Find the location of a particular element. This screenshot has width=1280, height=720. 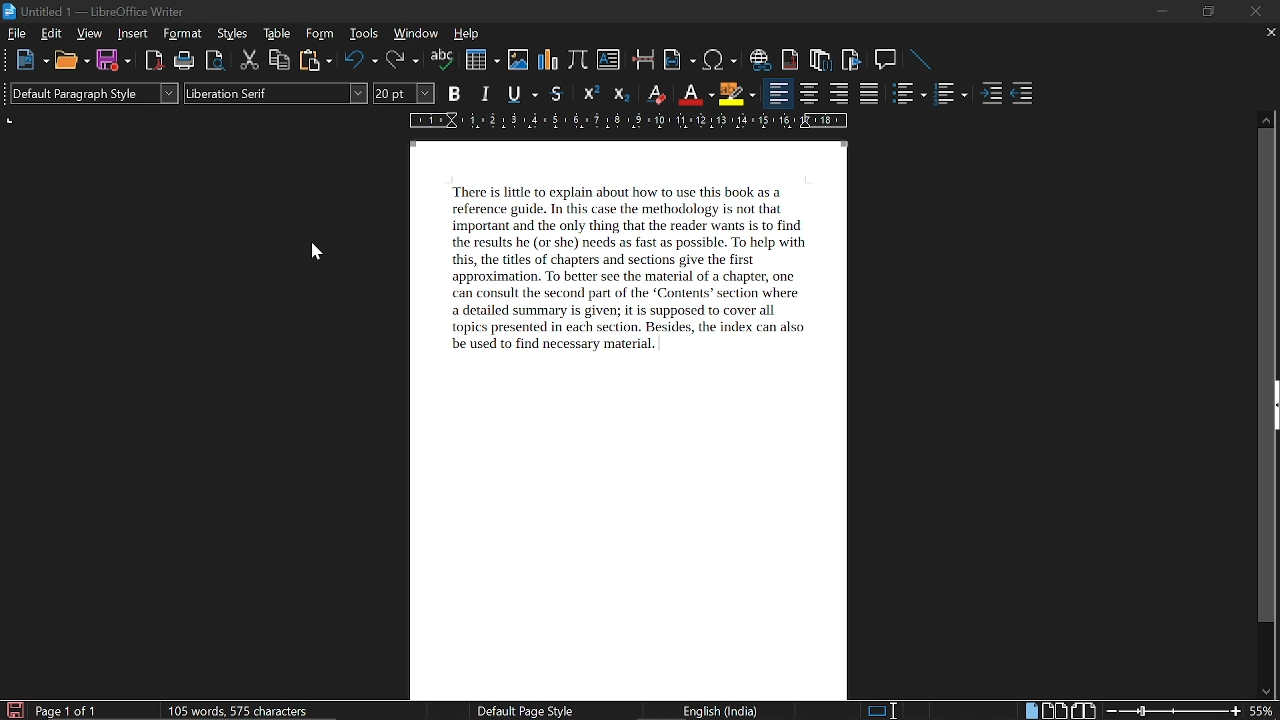

toggle print preview is located at coordinates (216, 62).